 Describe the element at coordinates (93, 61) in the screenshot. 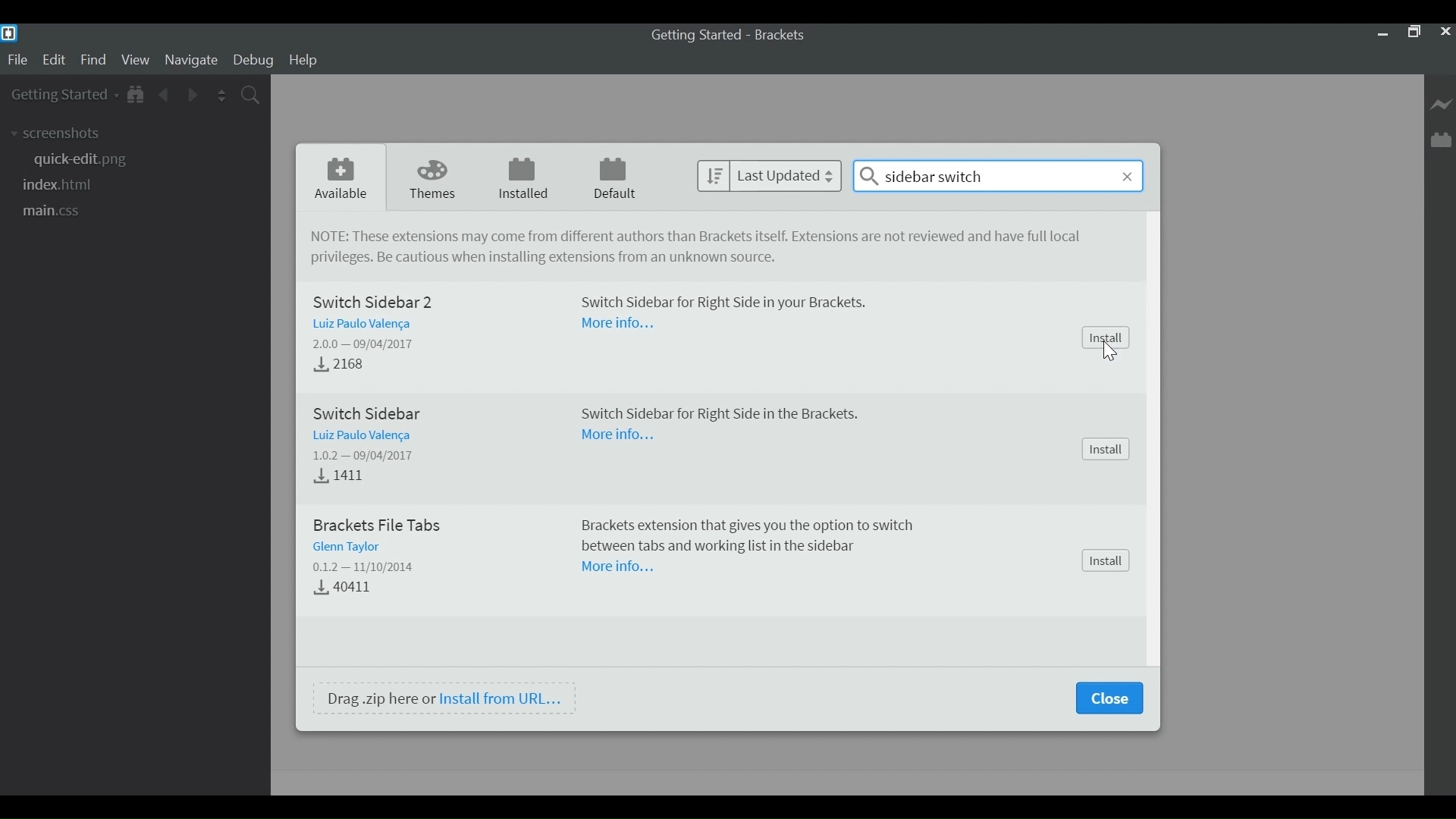

I see `Find` at that location.